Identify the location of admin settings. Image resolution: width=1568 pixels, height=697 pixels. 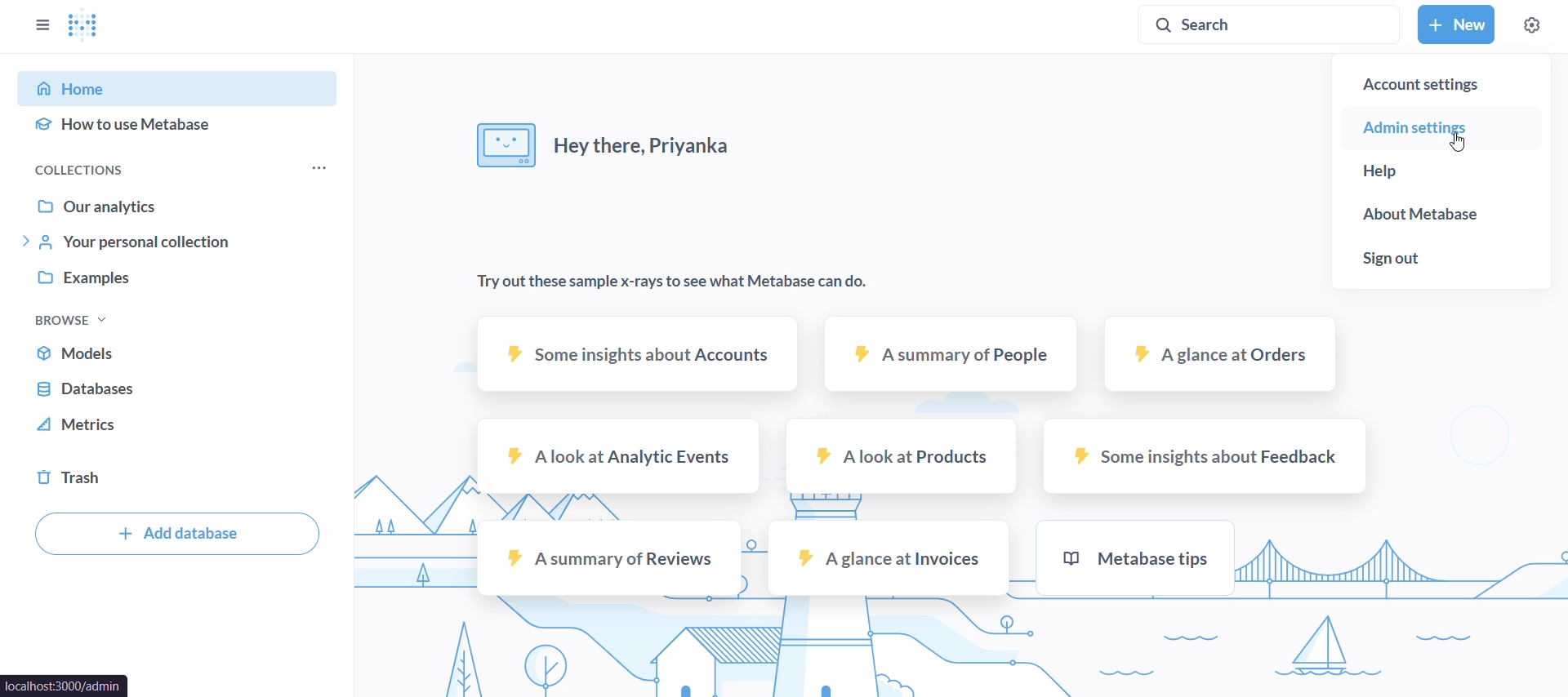
(1441, 128).